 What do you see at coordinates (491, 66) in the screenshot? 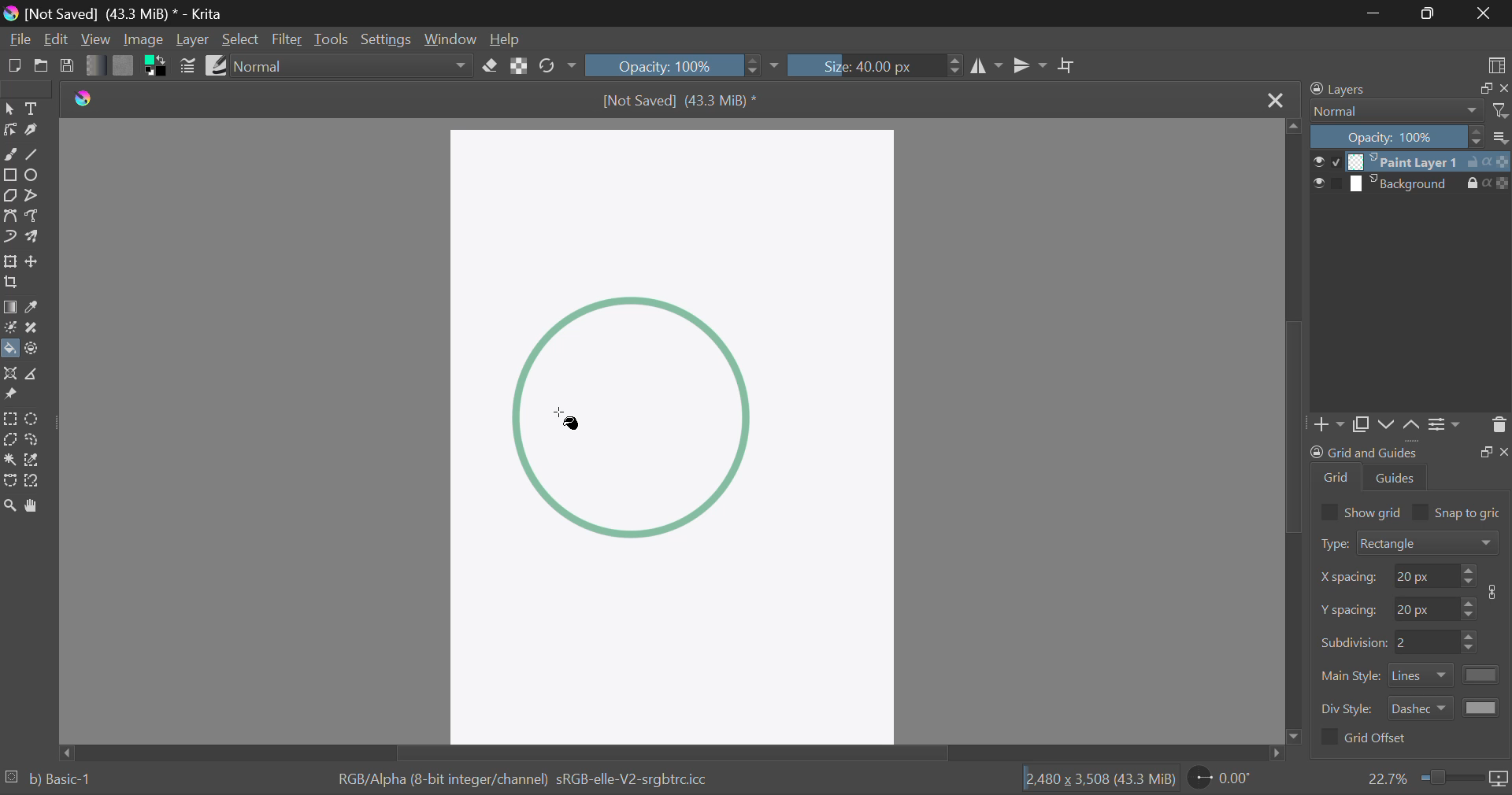
I see `Eraser` at bounding box center [491, 66].